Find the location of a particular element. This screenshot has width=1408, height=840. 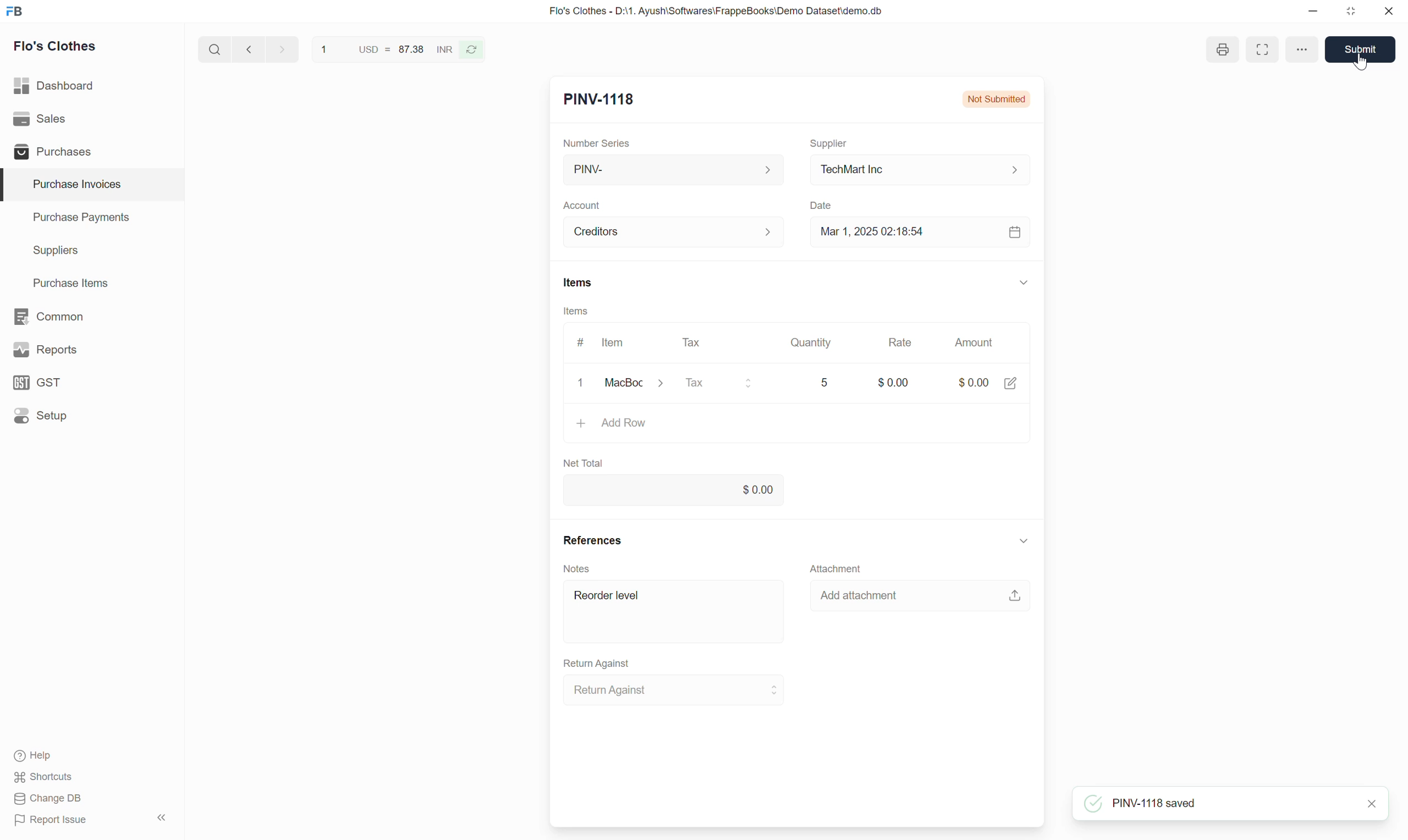

1 USD = 87.38 INR is located at coordinates (385, 49).